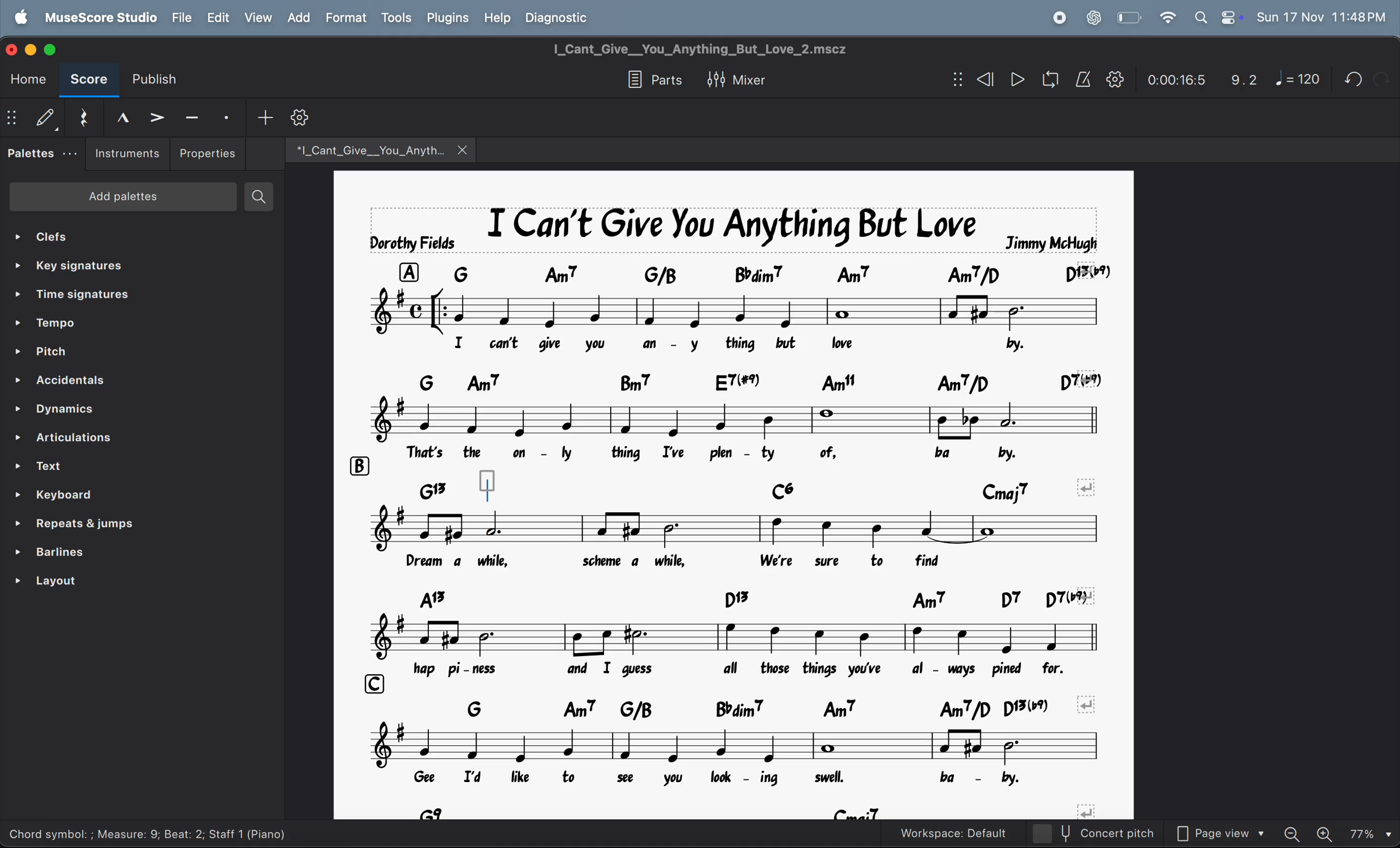  I want to click on articulations, so click(124, 440).